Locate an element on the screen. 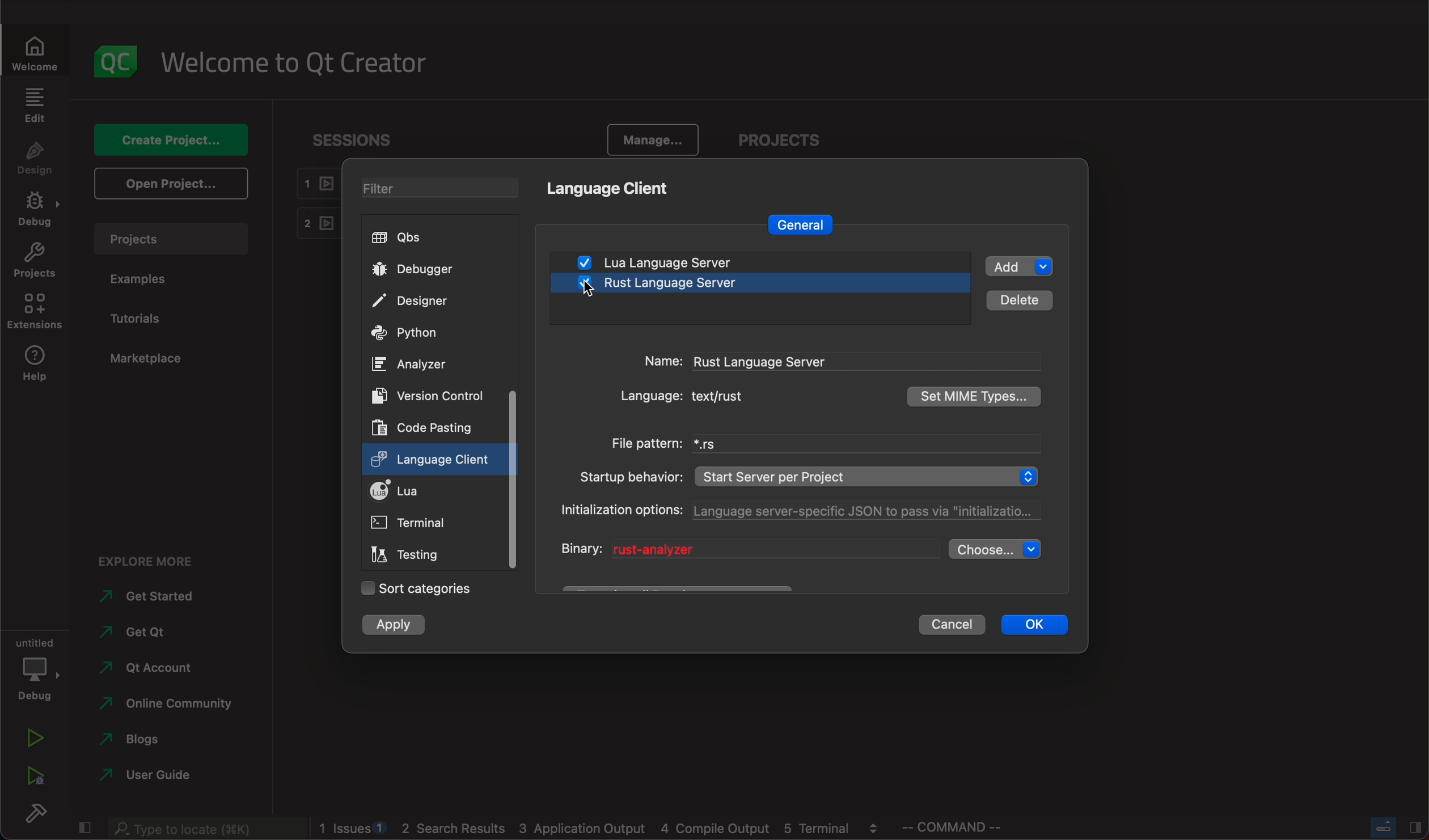 This screenshot has width=1429, height=840. language is located at coordinates (609, 188).